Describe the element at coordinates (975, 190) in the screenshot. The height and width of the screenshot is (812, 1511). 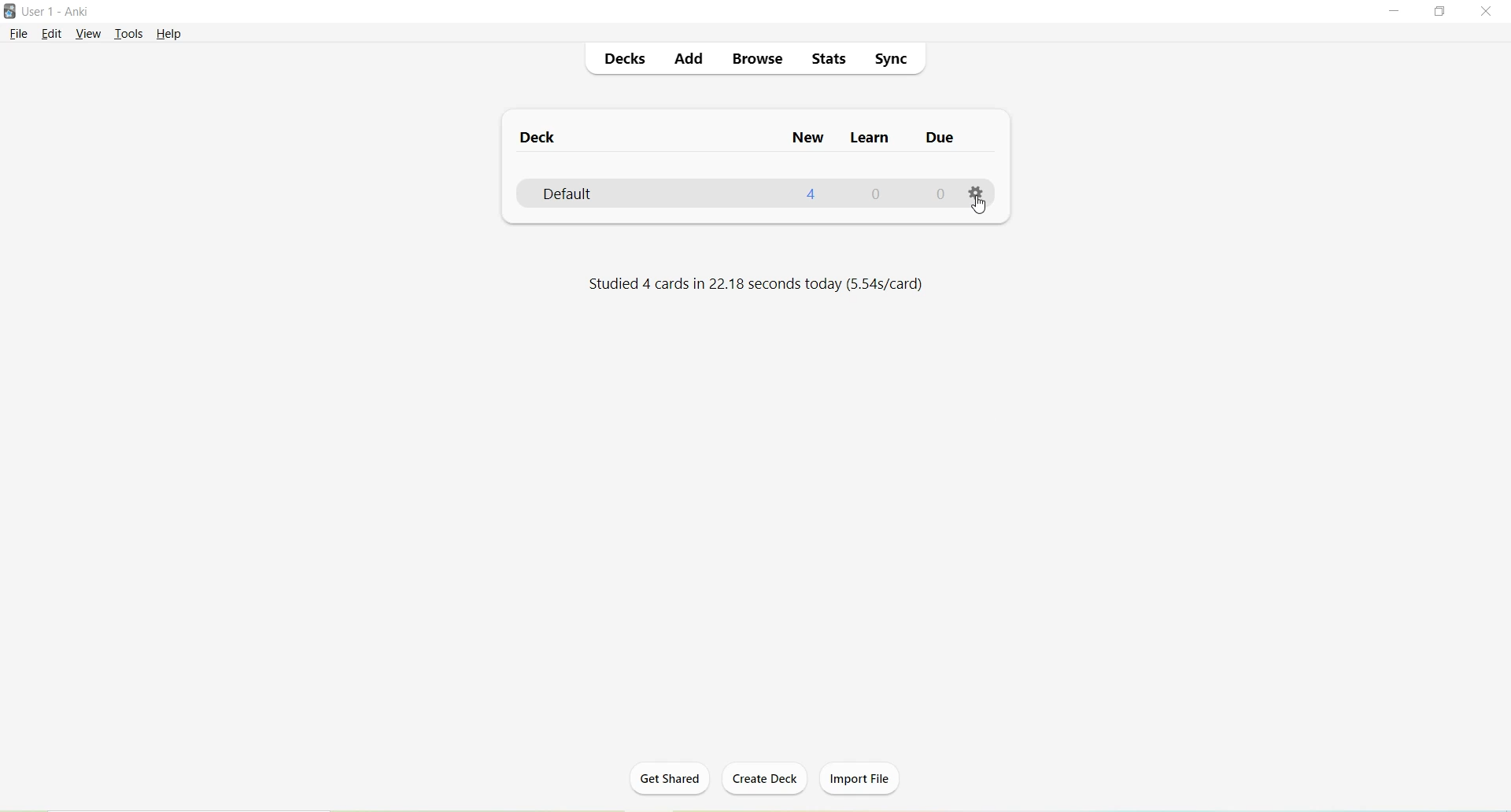
I see `Options` at that location.